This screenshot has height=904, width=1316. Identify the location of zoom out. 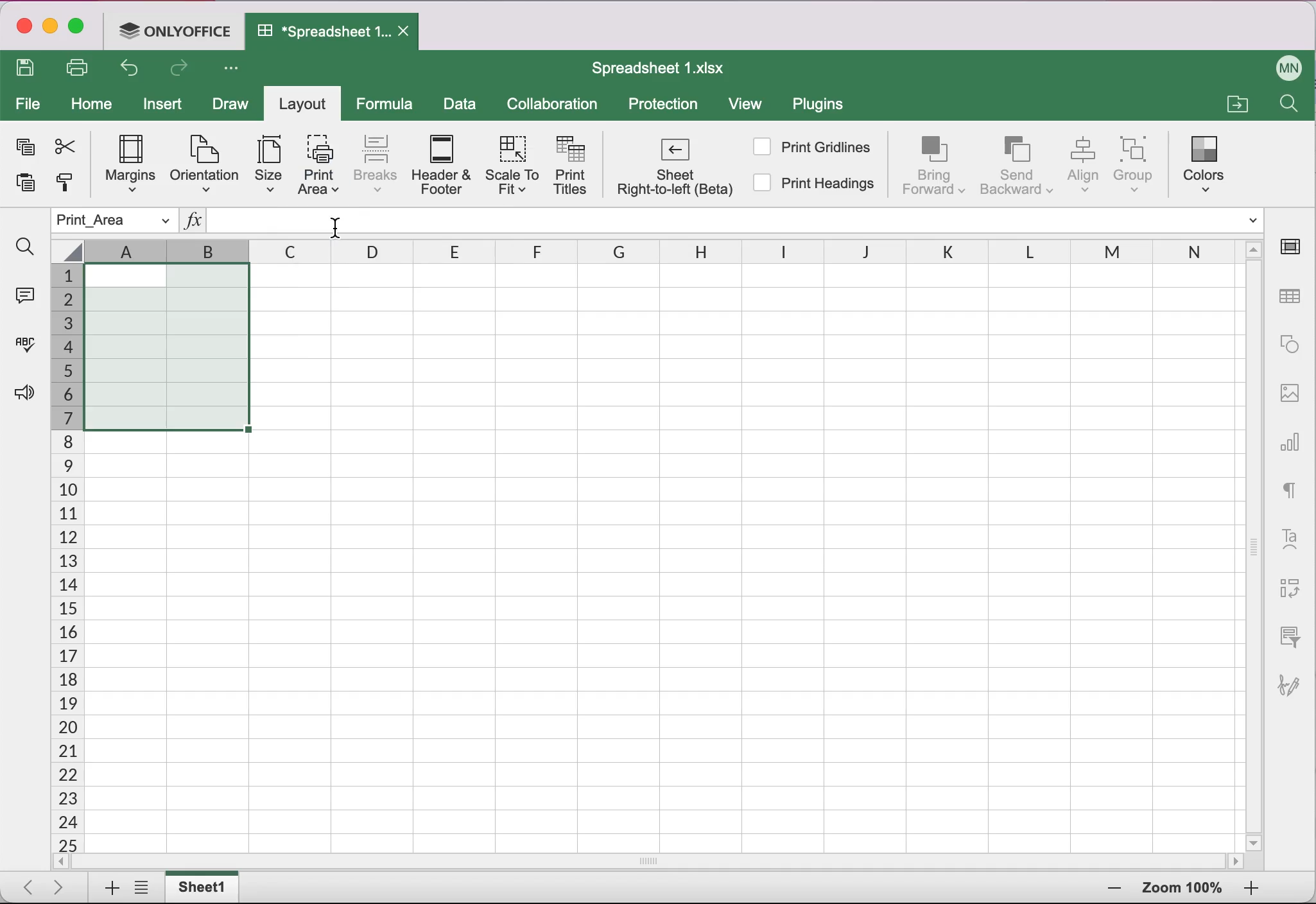
(1251, 889).